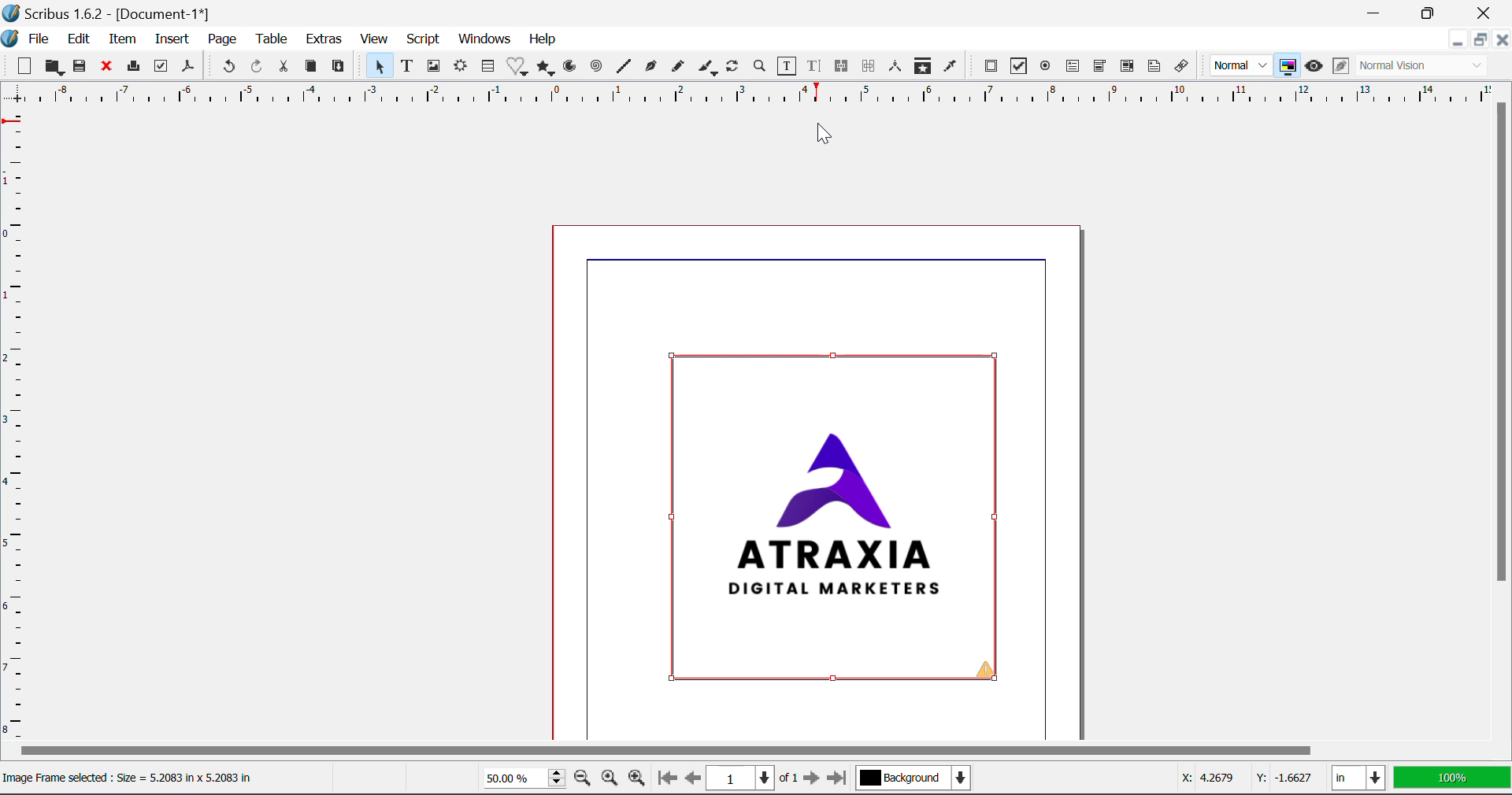  Describe the element at coordinates (951, 68) in the screenshot. I see `Eyedropper` at that location.